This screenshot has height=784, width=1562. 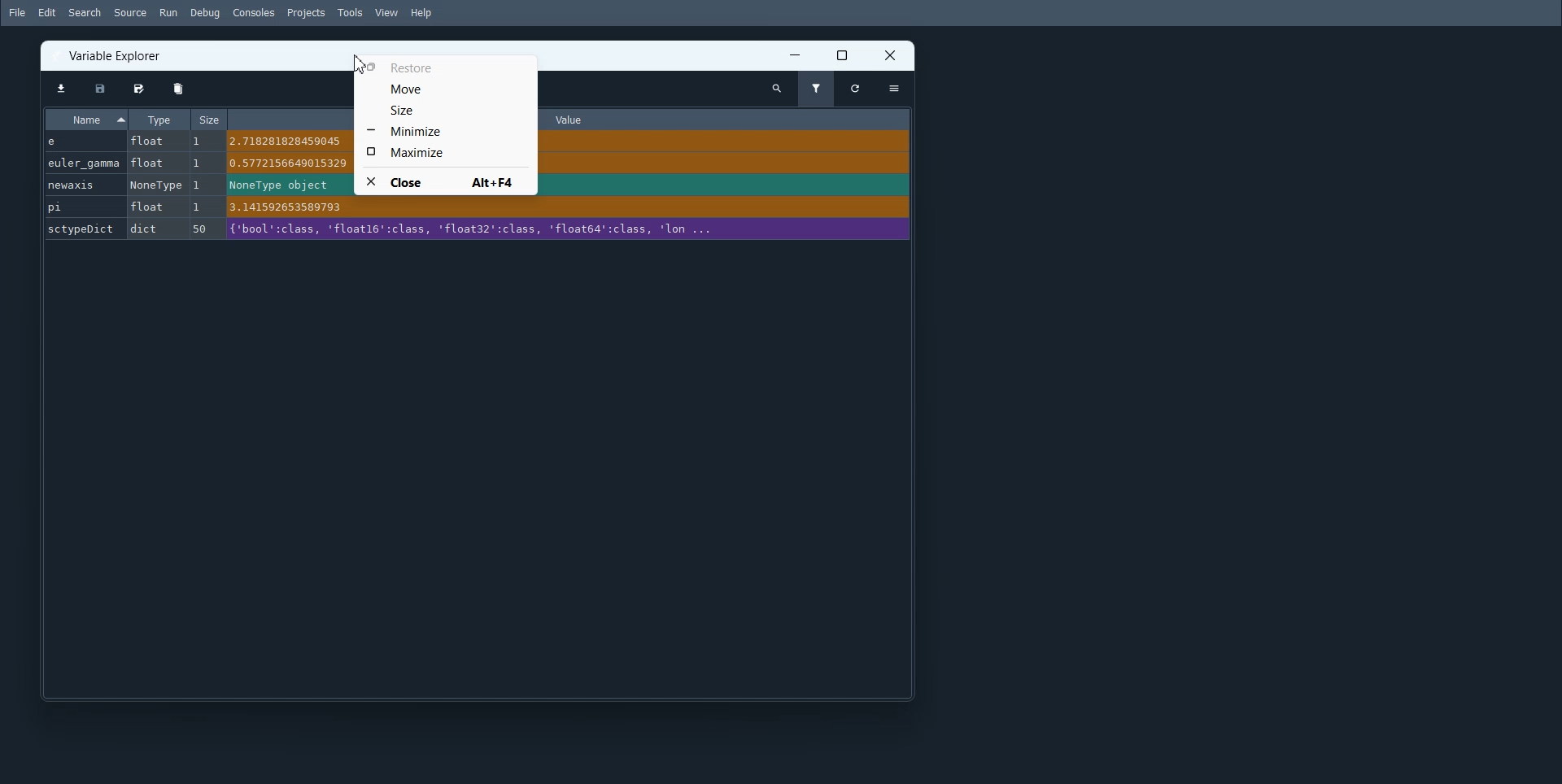 What do you see at coordinates (892, 55) in the screenshot?
I see `Close` at bounding box center [892, 55].